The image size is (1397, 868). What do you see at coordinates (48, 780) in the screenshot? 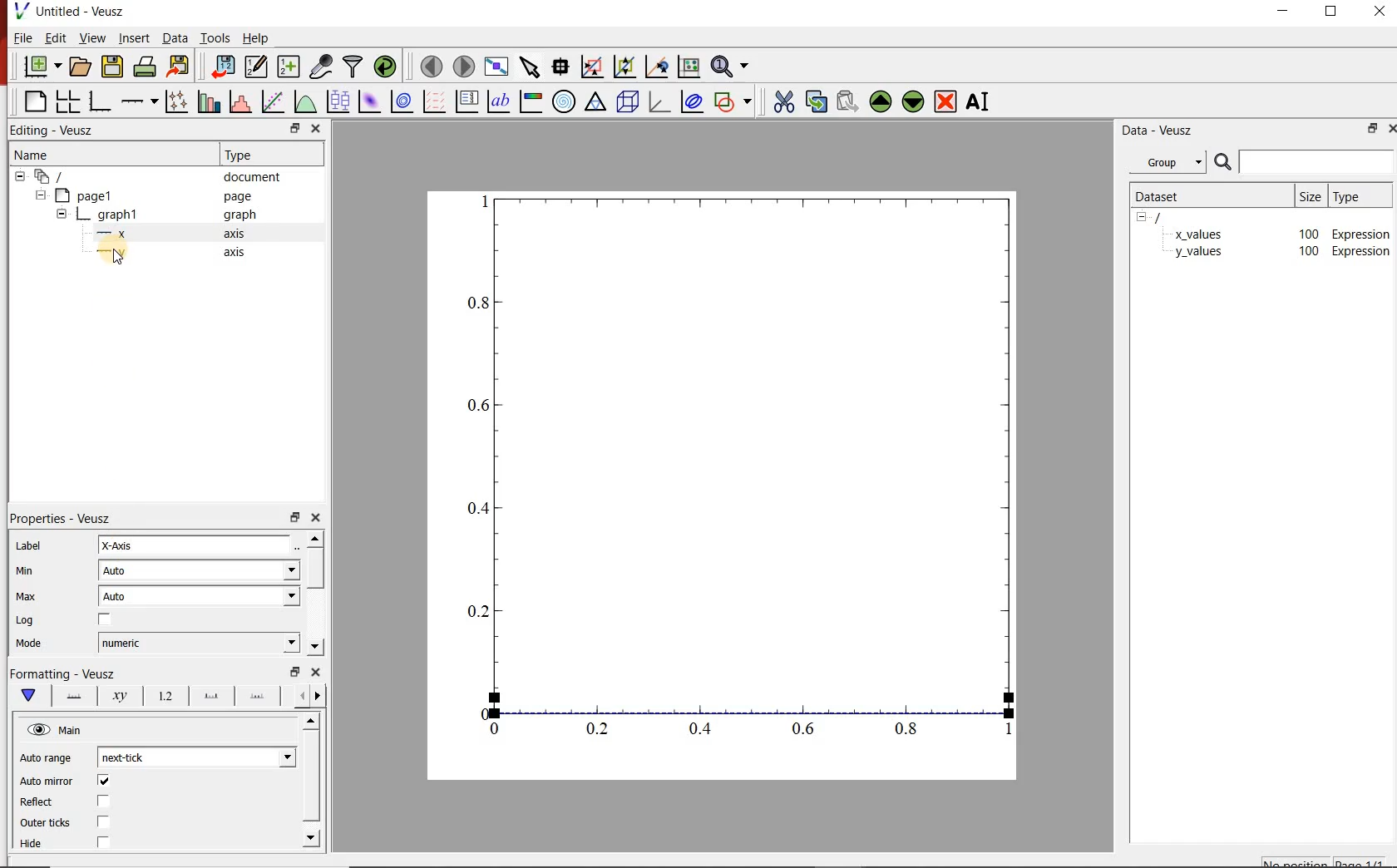
I see `‘Auto mirror` at bounding box center [48, 780].